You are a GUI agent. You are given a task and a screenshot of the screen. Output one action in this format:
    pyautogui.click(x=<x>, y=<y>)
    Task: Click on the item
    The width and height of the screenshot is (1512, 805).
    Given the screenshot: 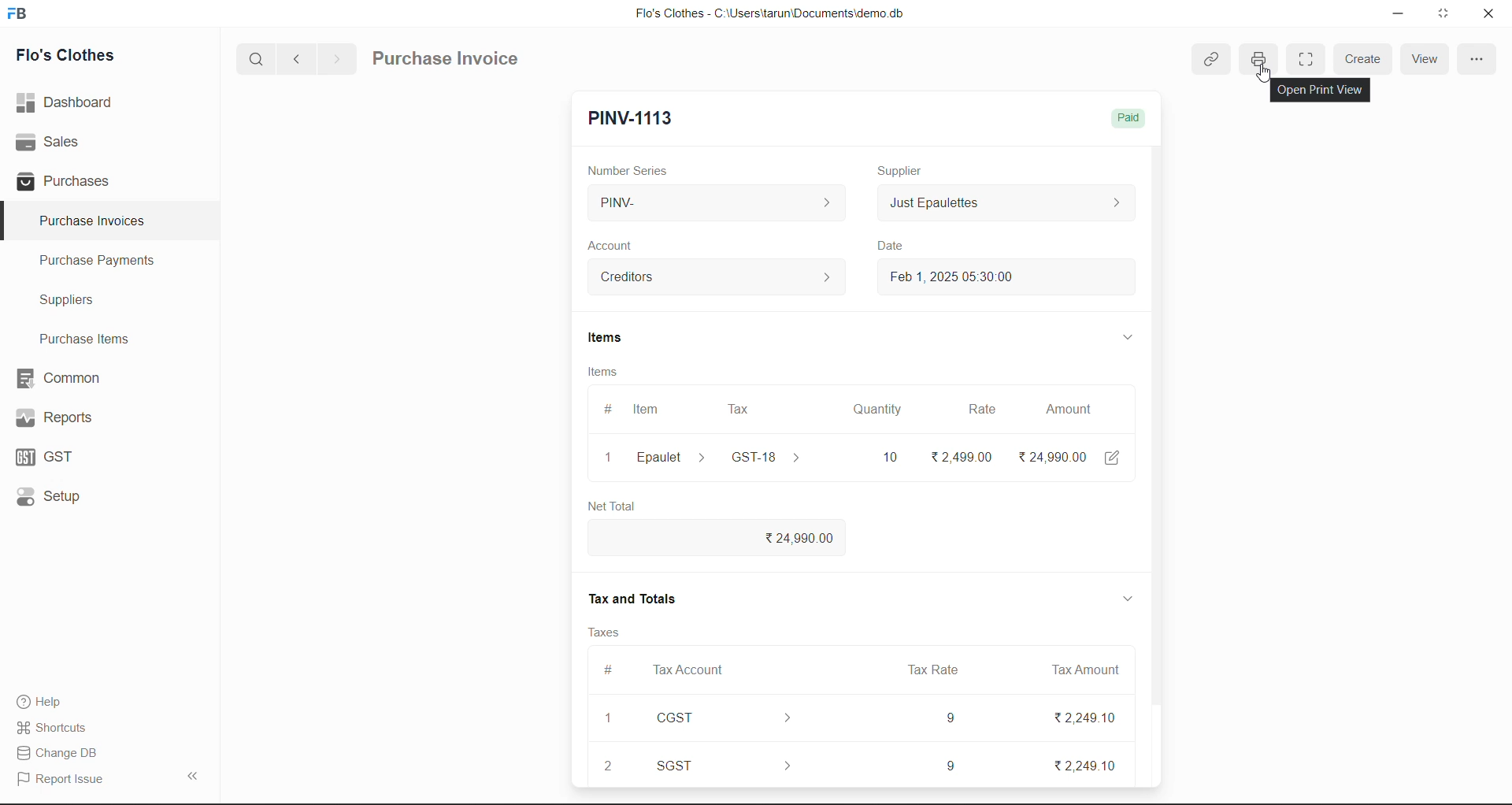 What is the action you would take?
    pyautogui.click(x=648, y=408)
    